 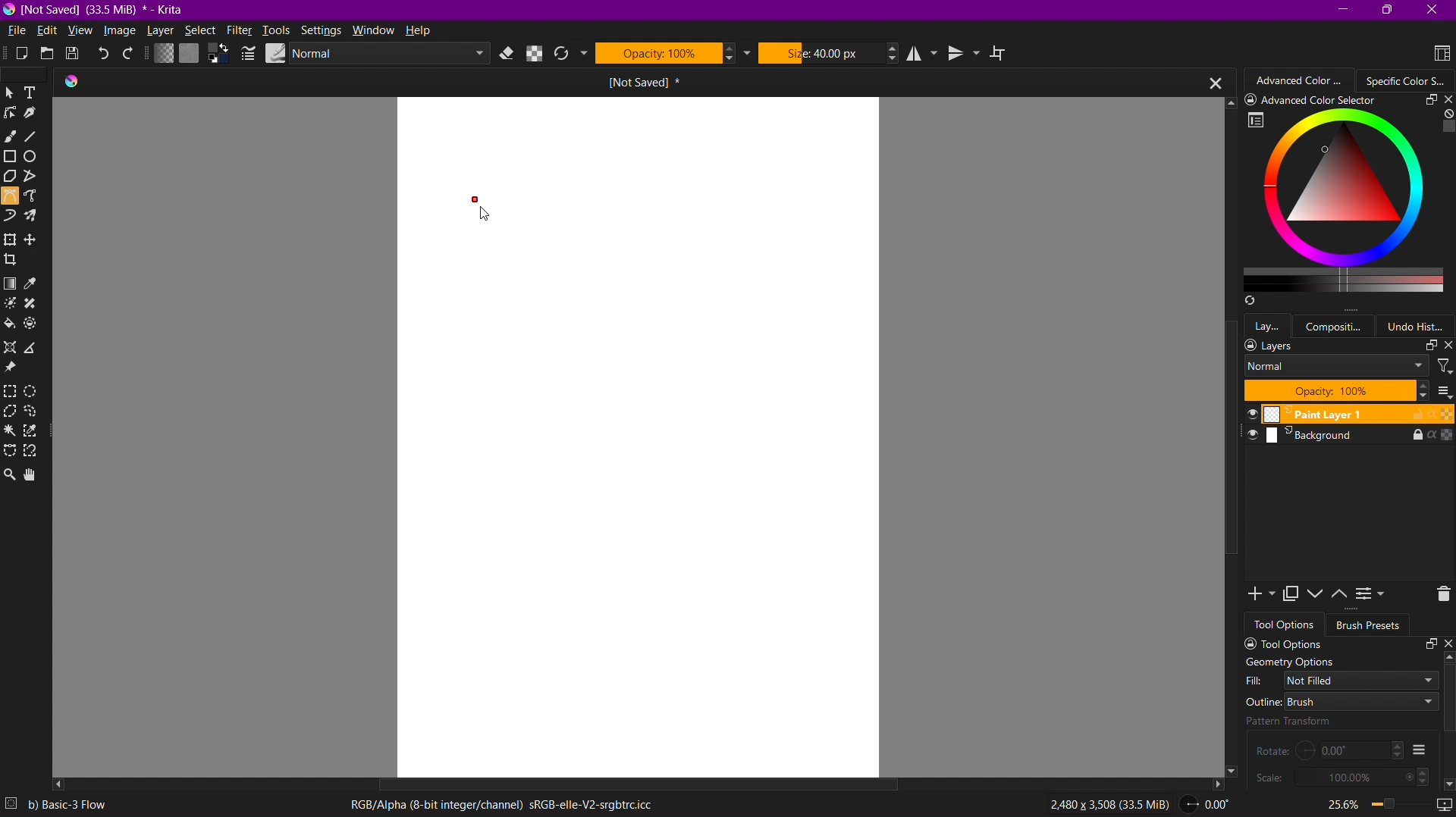 I want to click on Geometry Options, so click(x=1289, y=662).